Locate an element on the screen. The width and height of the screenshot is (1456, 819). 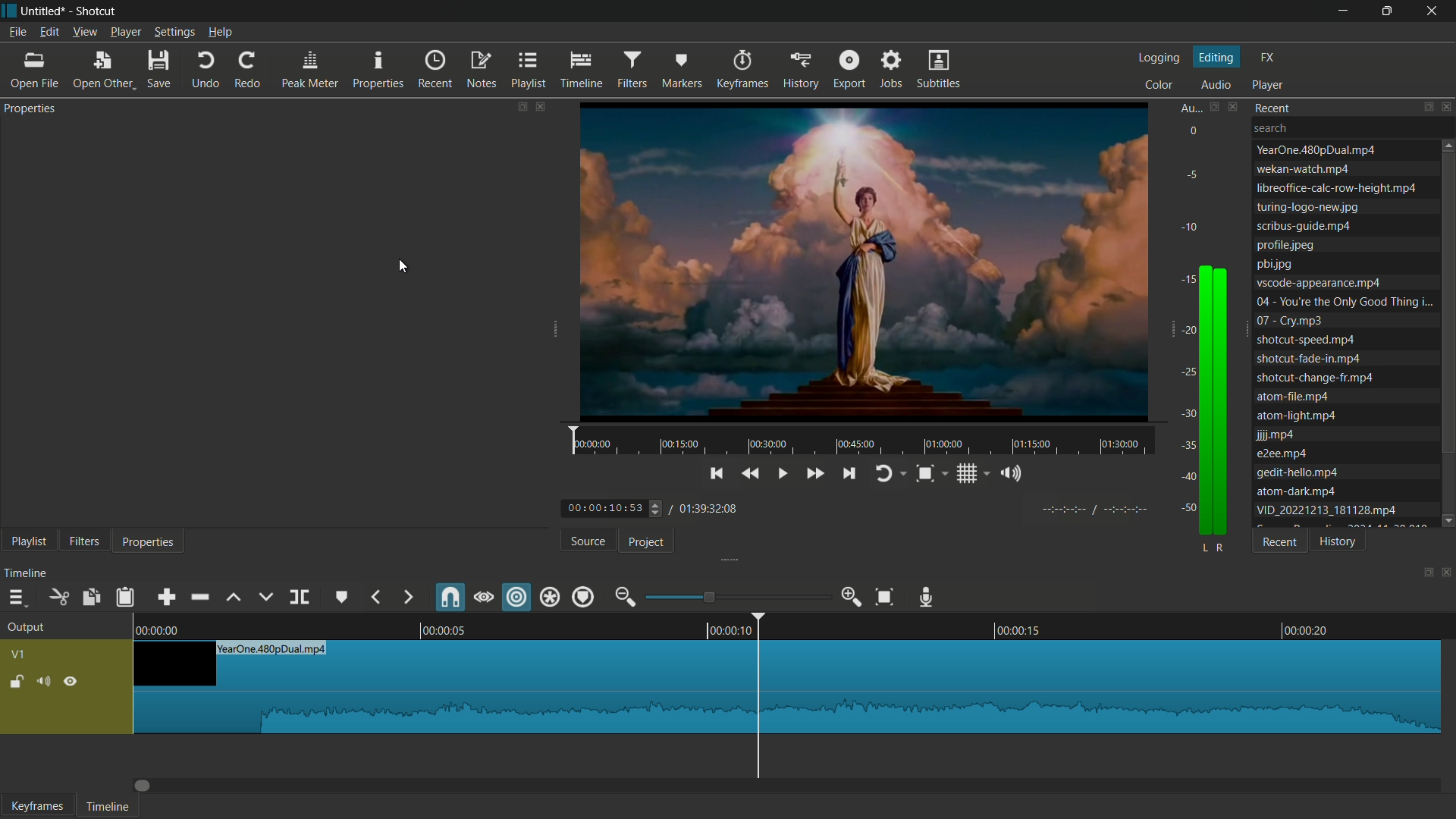
Properties is located at coordinates (148, 541).